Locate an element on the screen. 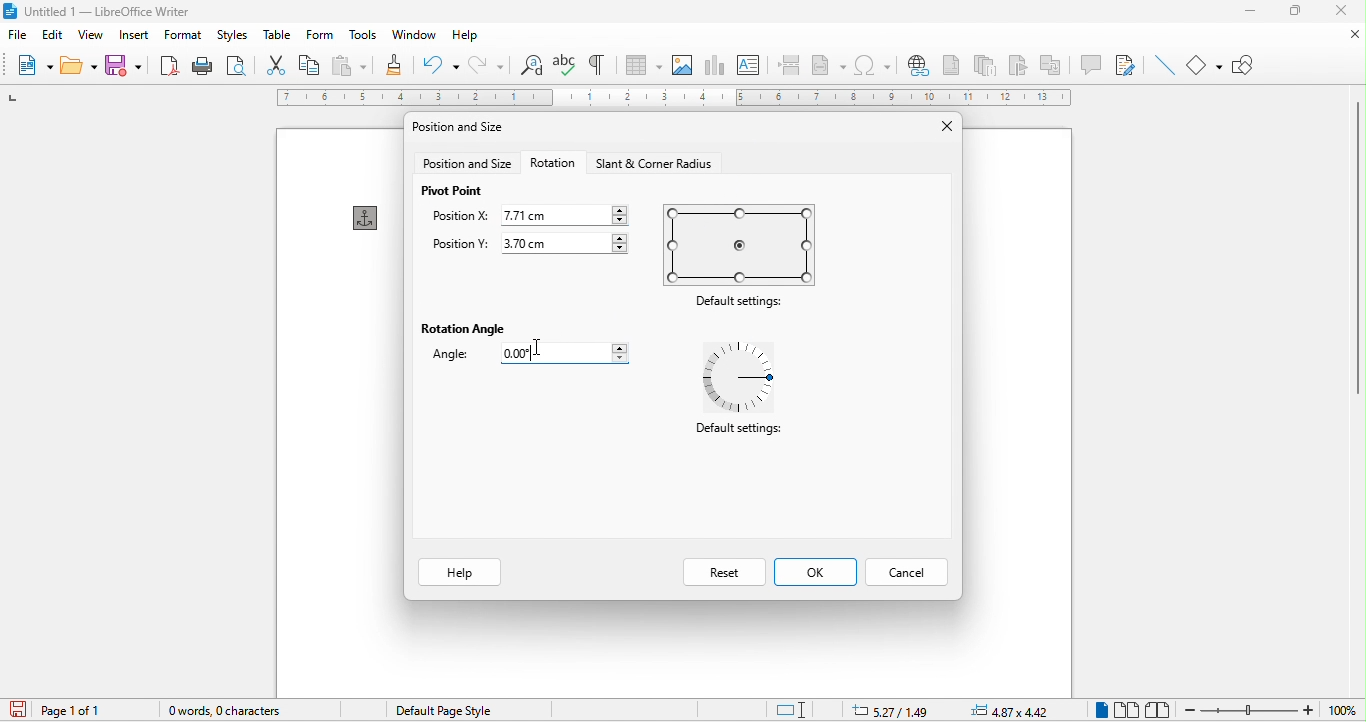 The width and height of the screenshot is (1366, 722). view is located at coordinates (94, 37).